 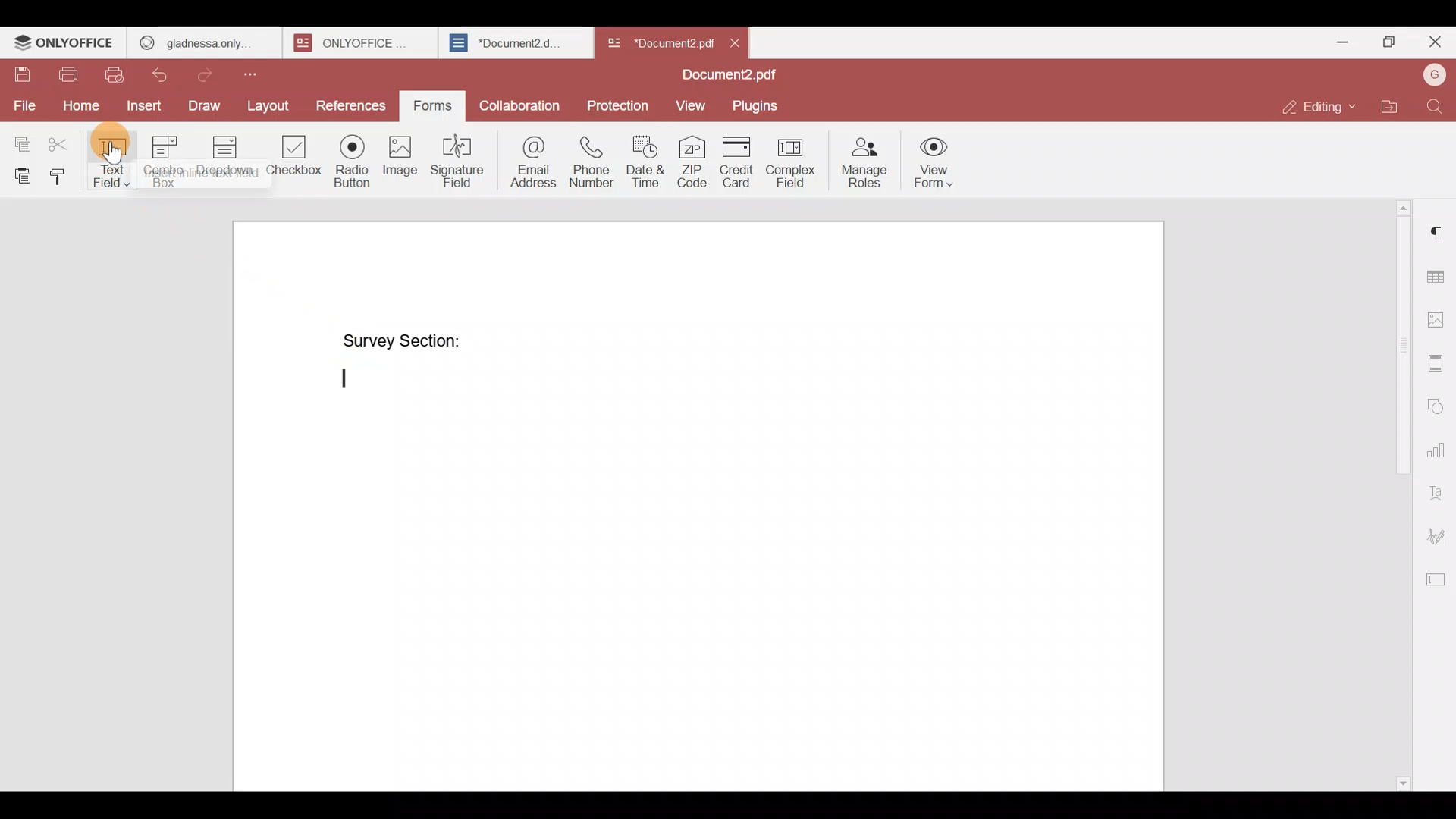 I want to click on Forms, so click(x=427, y=106).